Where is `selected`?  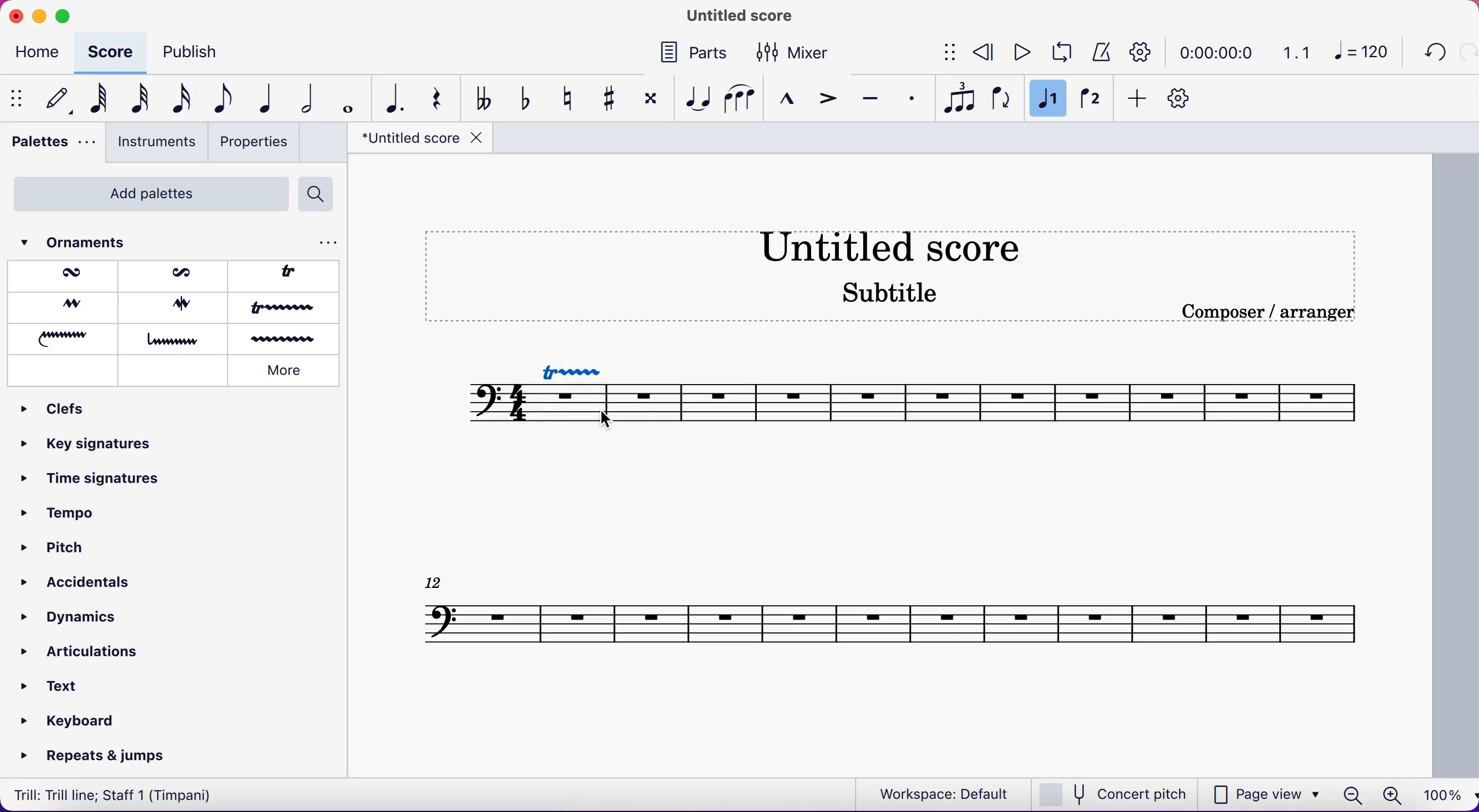 selected is located at coordinates (1048, 99).